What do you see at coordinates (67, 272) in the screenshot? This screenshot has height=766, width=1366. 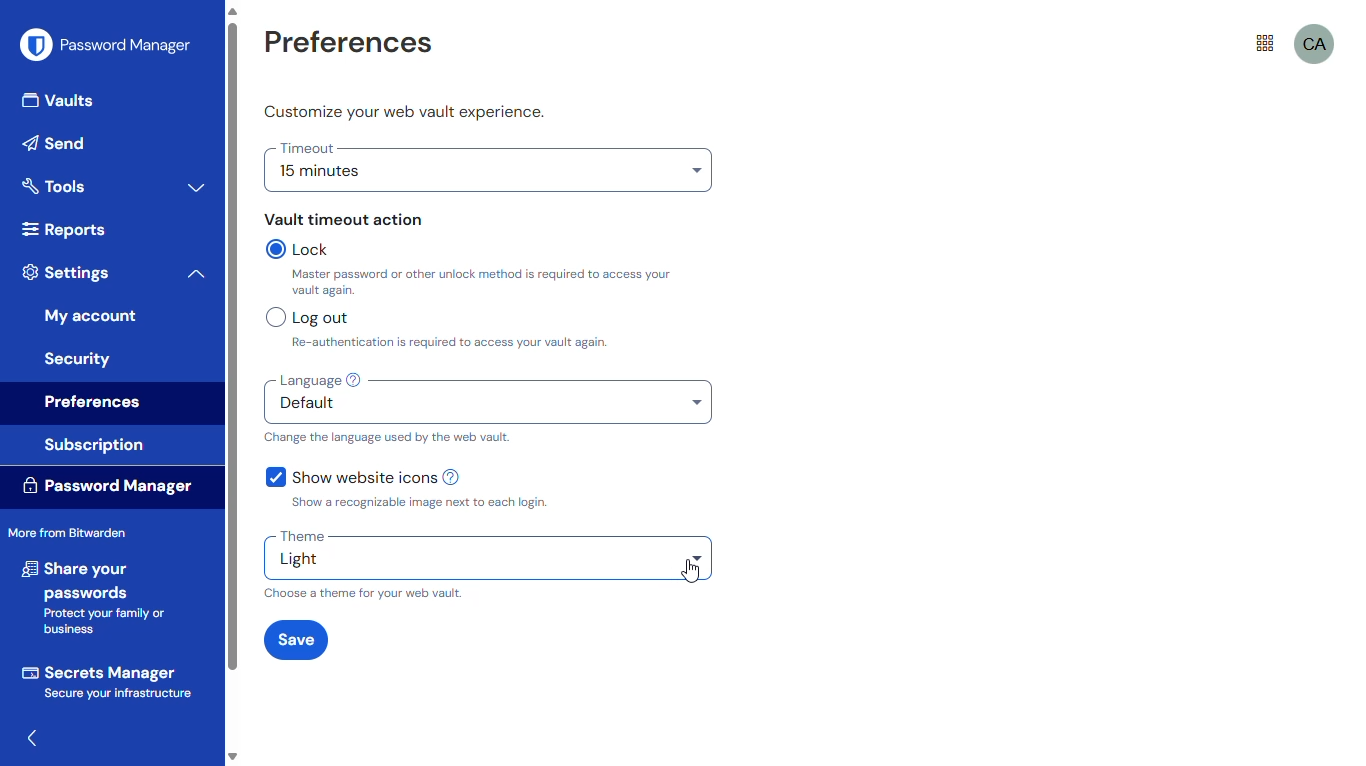 I see `settings` at bounding box center [67, 272].